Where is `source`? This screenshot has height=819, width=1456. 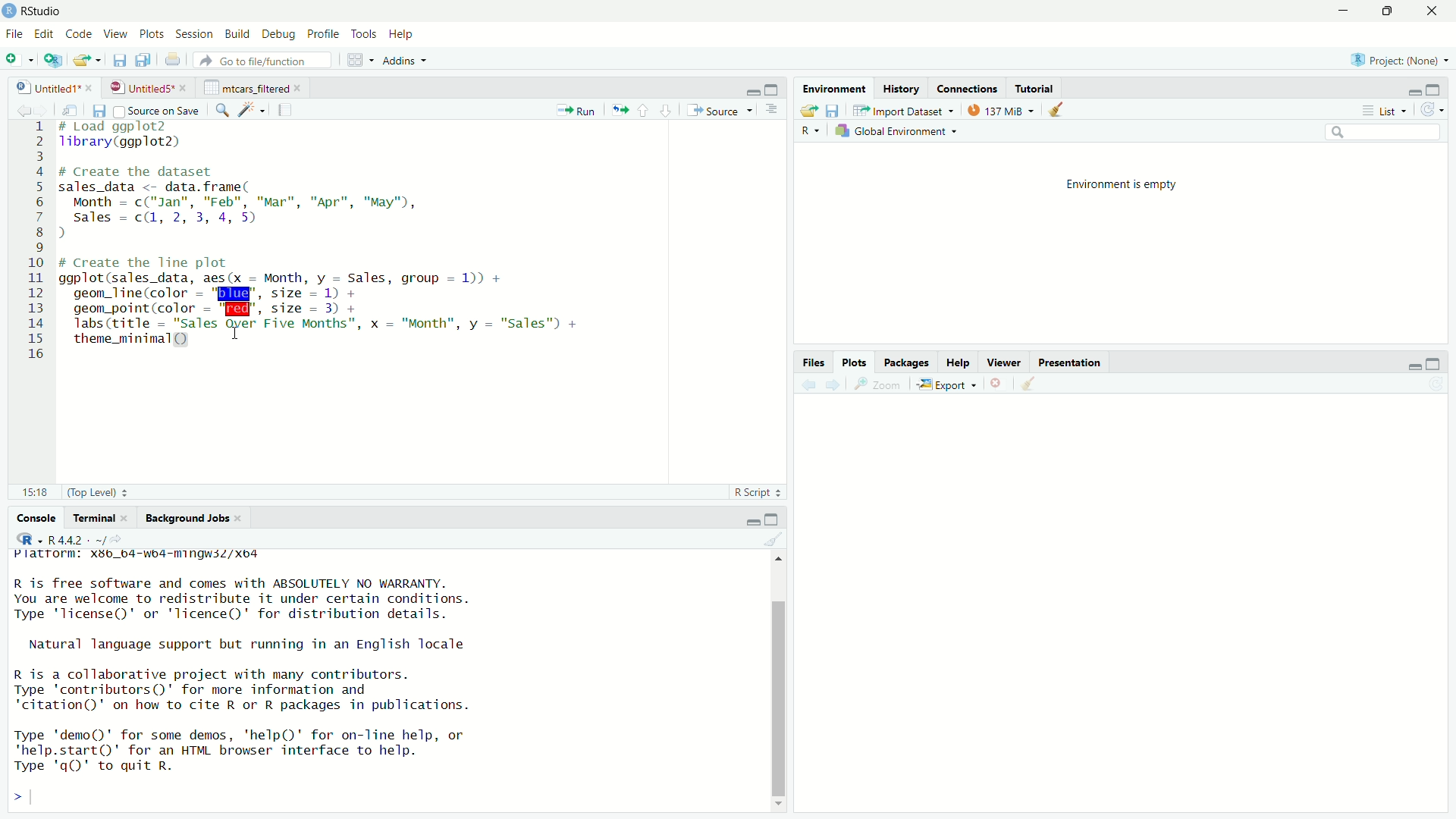
source is located at coordinates (718, 111).